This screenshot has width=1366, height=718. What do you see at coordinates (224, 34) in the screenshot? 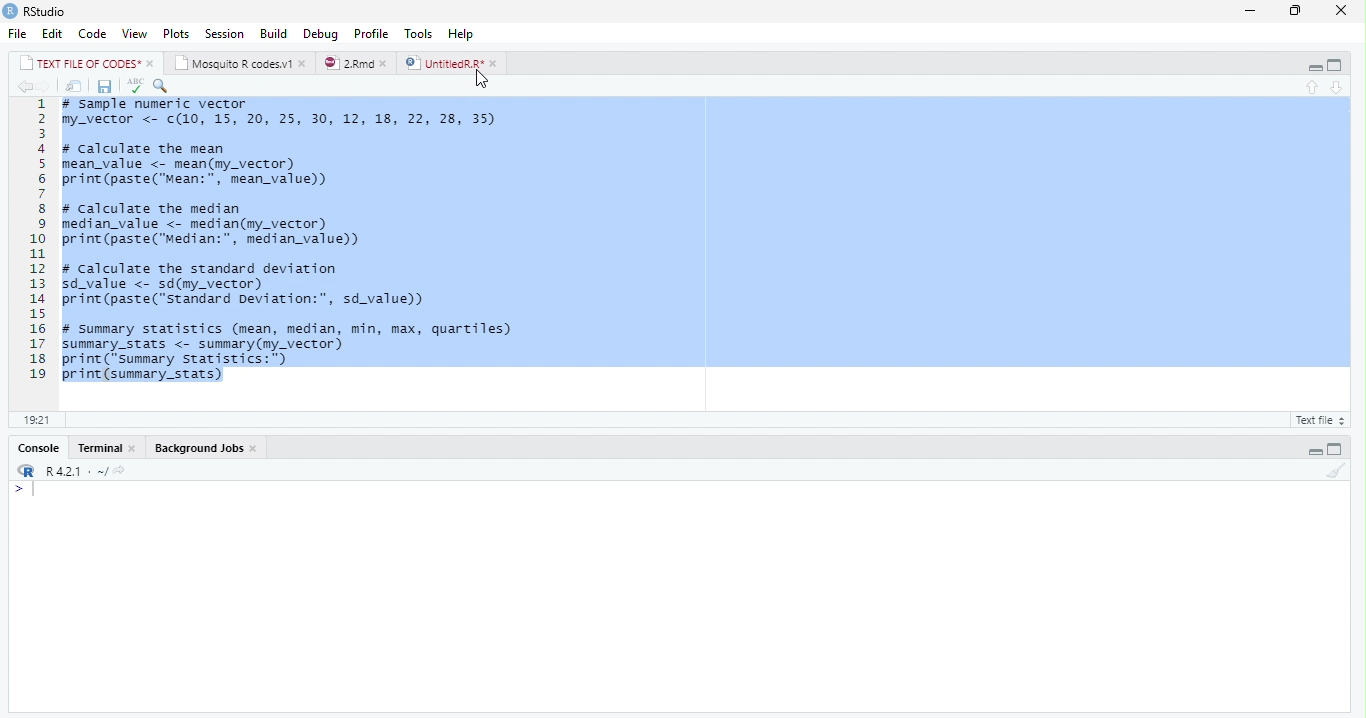
I see `session` at bounding box center [224, 34].